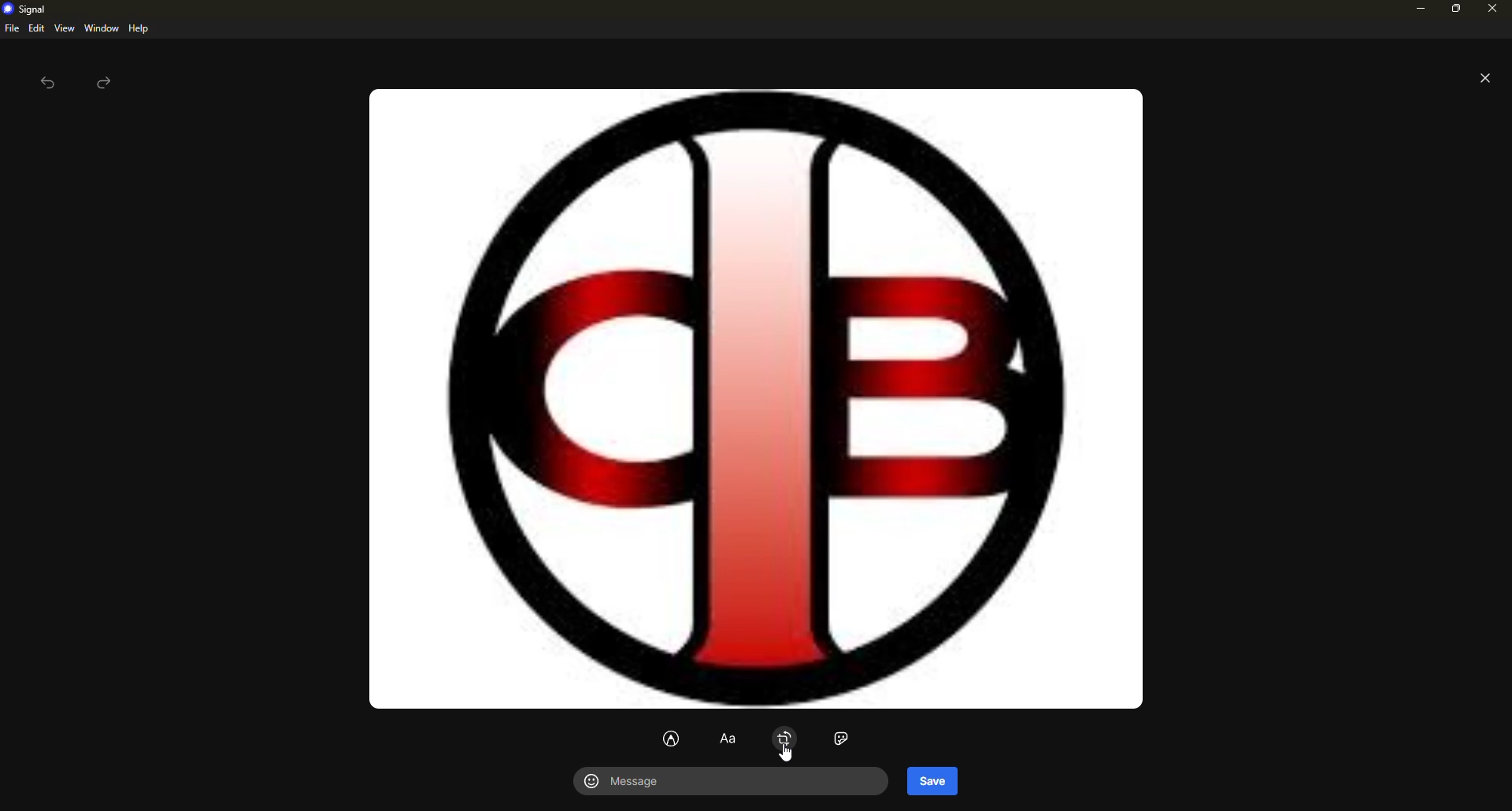  Describe the element at coordinates (1493, 7) in the screenshot. I see `close` at that location.